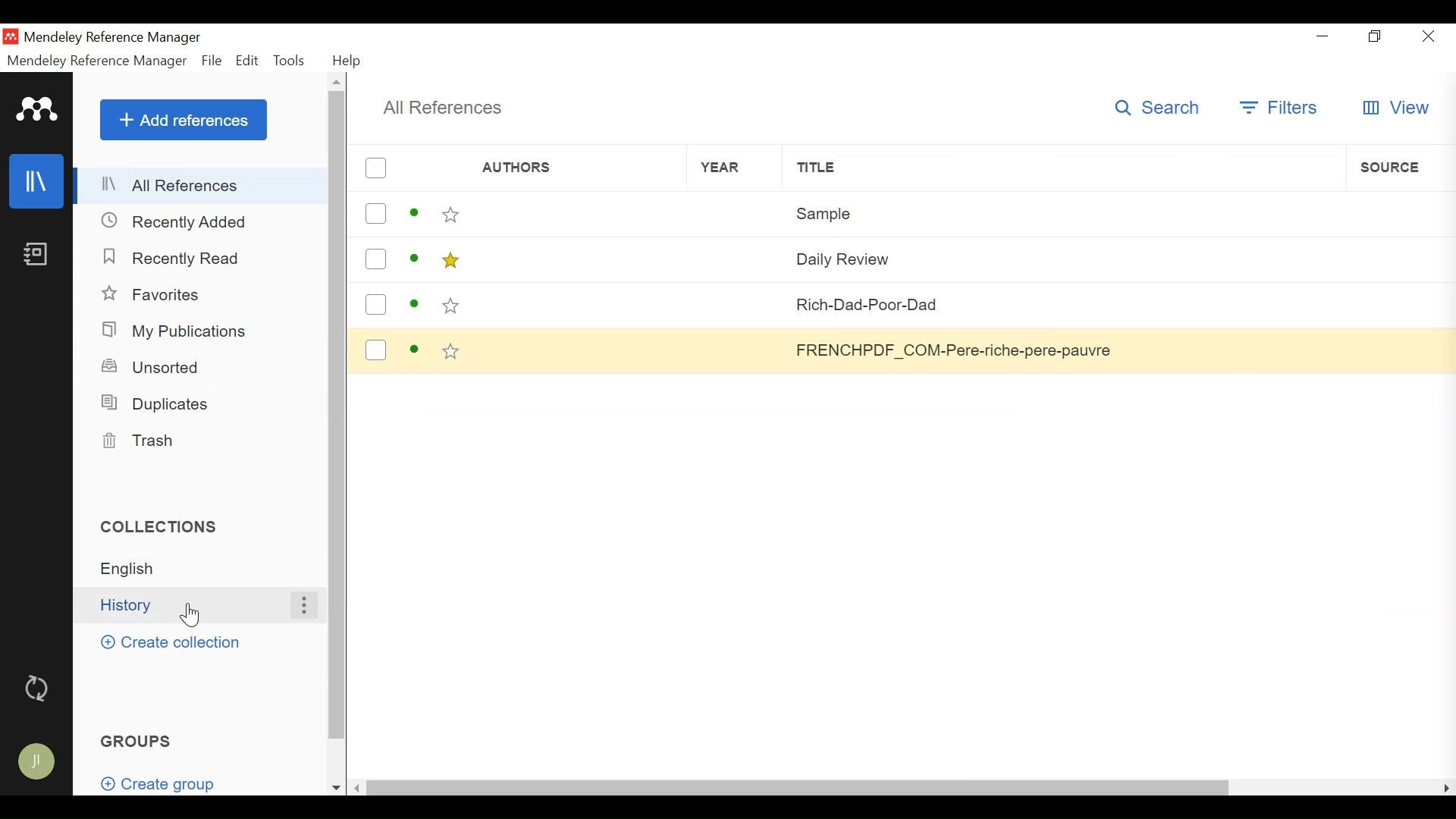 Image resolution: width=1456 pixels, height=819 pixels. I want to click on FRENCHPDF_COM-Pere-riche-pere-pauvre, so click(1062, 350).